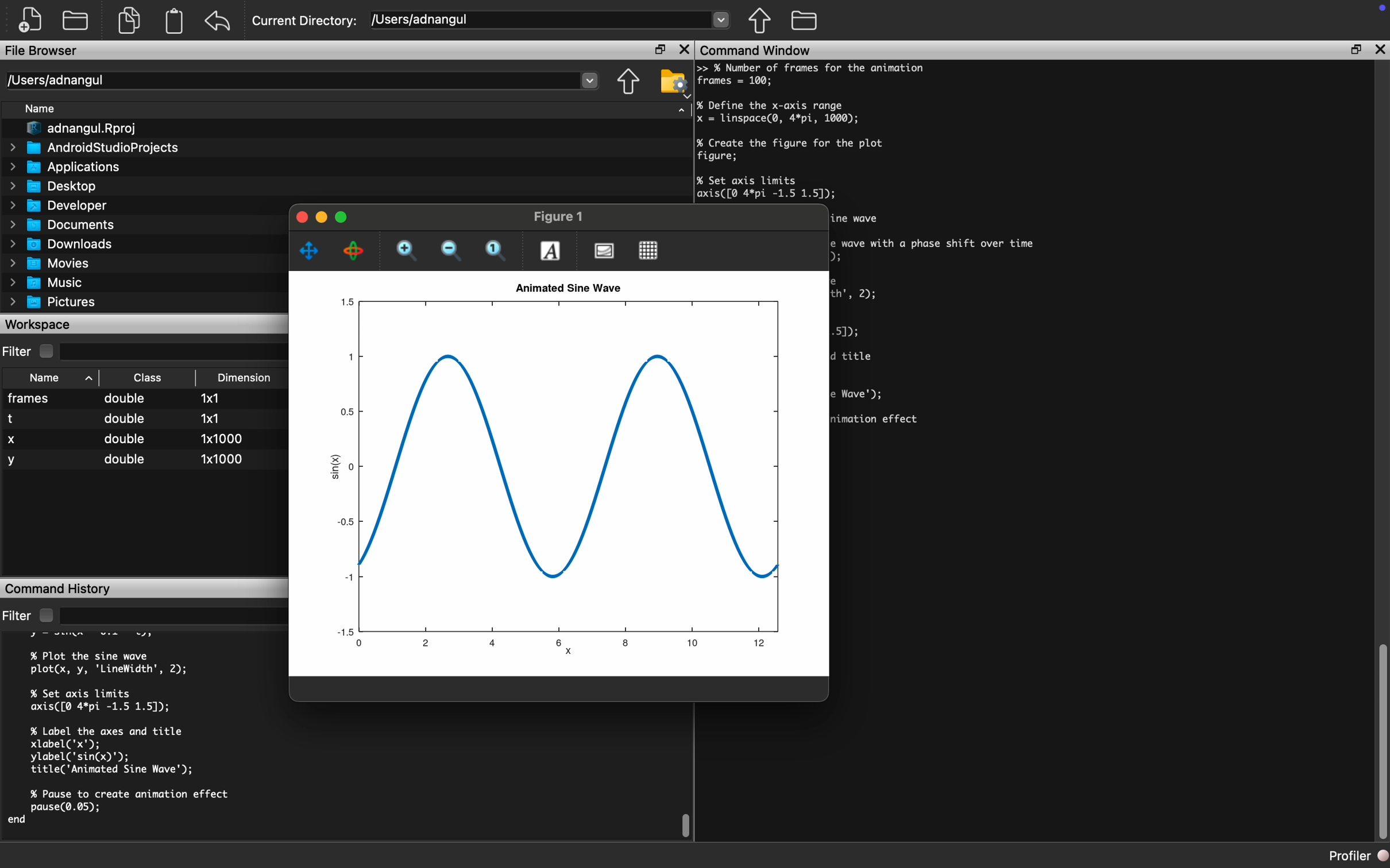 This screenshot has width=1390, height=868. Describe the element at coordinates (68, 169) in the screenshot. I see `Applications` at that location.